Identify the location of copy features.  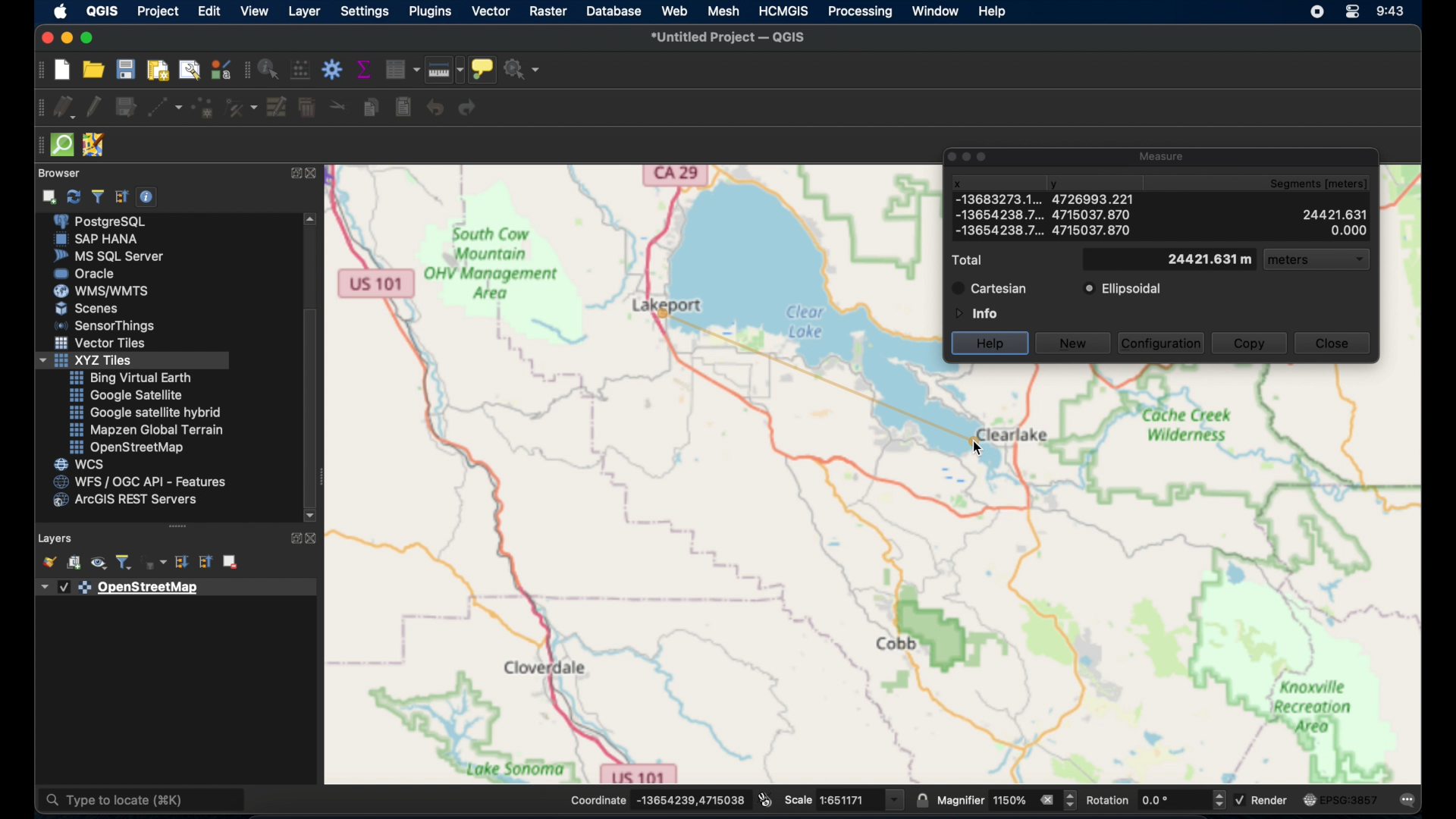
(369, 108).